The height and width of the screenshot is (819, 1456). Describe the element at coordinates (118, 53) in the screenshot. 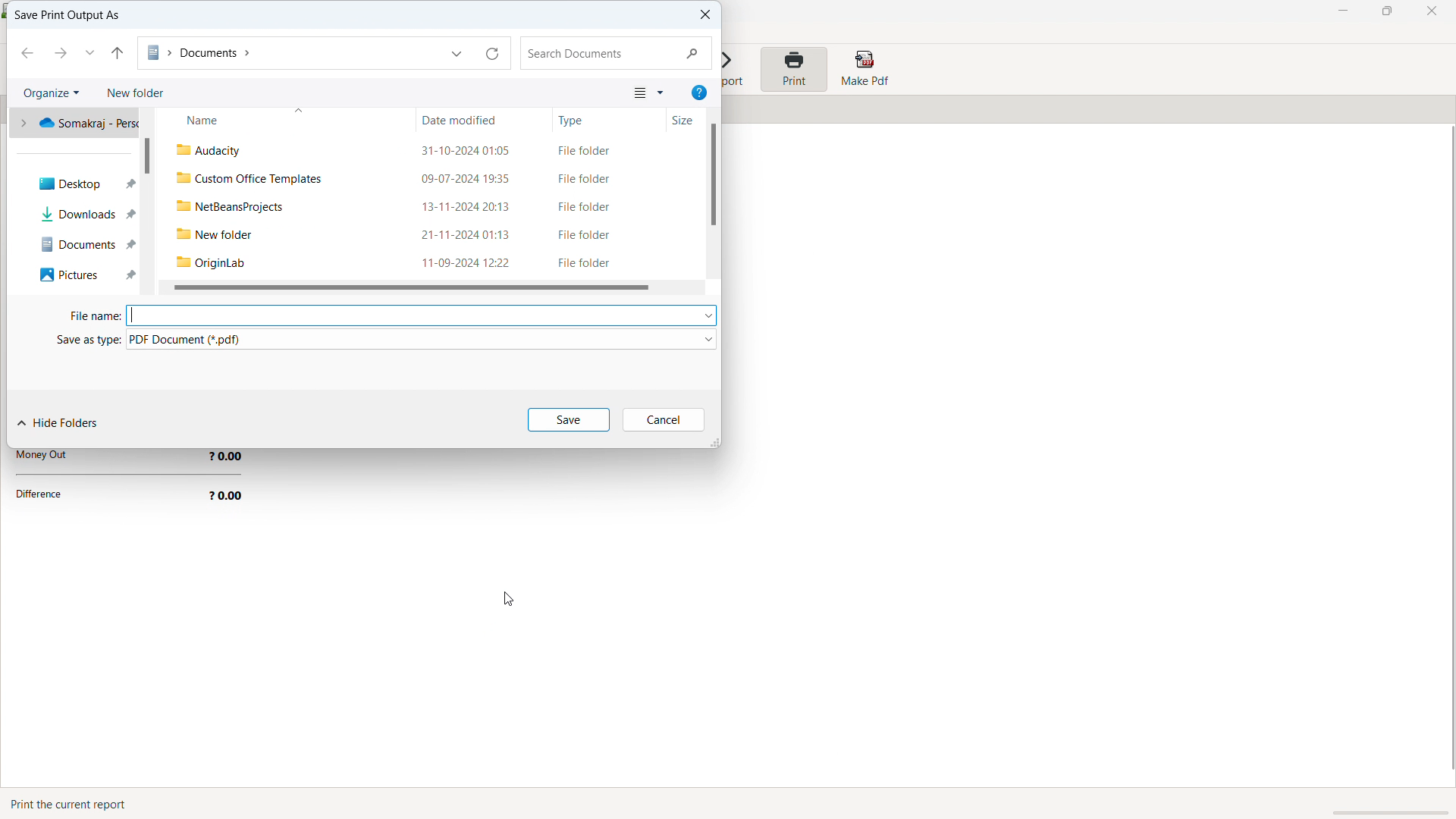

I see `go to originating folder` at that location.